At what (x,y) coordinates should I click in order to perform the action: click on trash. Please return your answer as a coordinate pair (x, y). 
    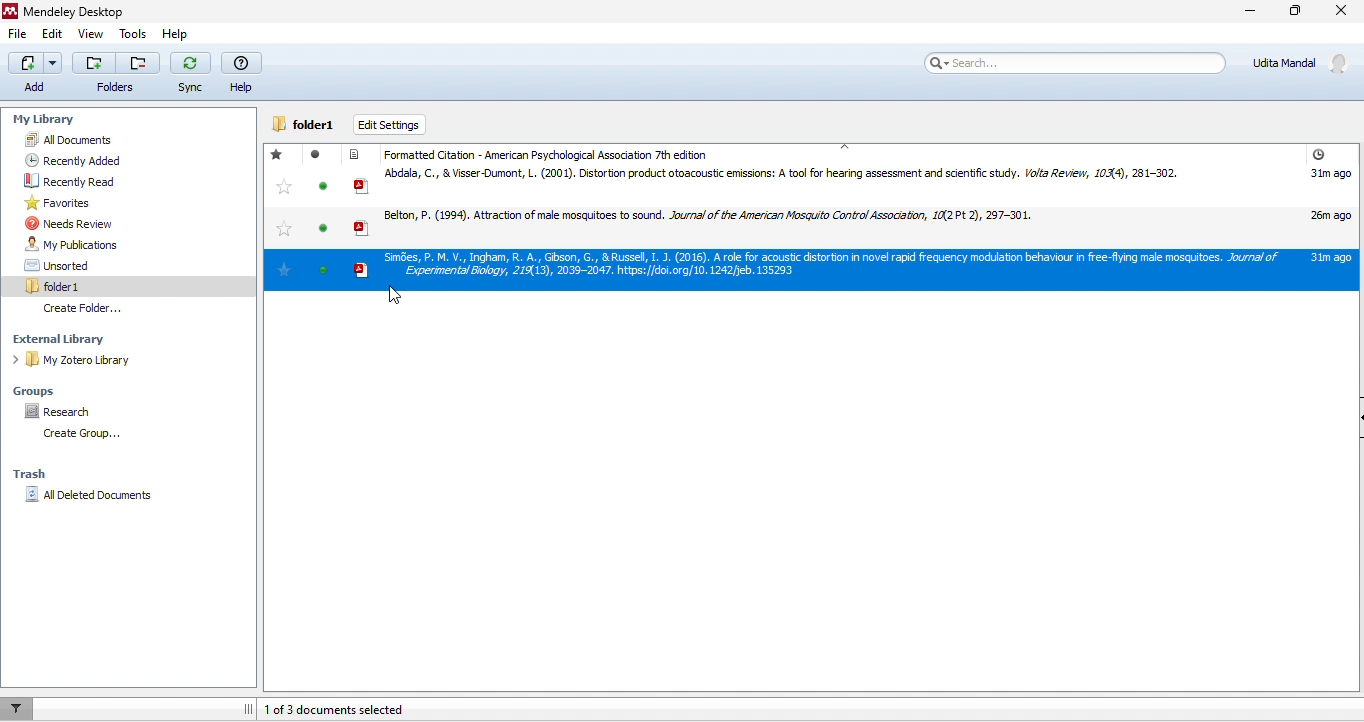
    Looking at the image, I should click on (33, 472).